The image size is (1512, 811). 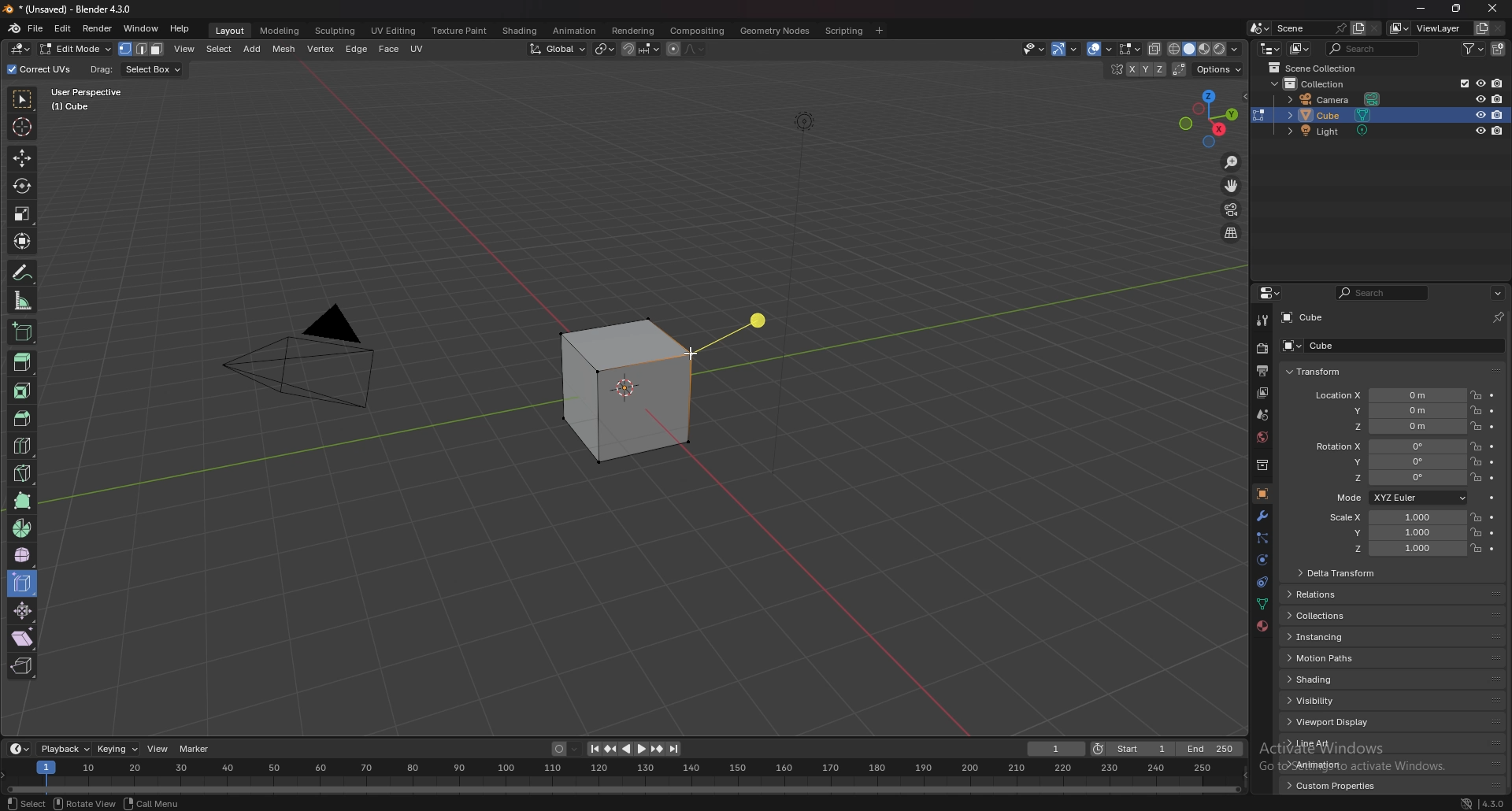 What do you see at coordinates (842, 31) in the screenshot?
I see `scripting` at bounding box center [842, 31].